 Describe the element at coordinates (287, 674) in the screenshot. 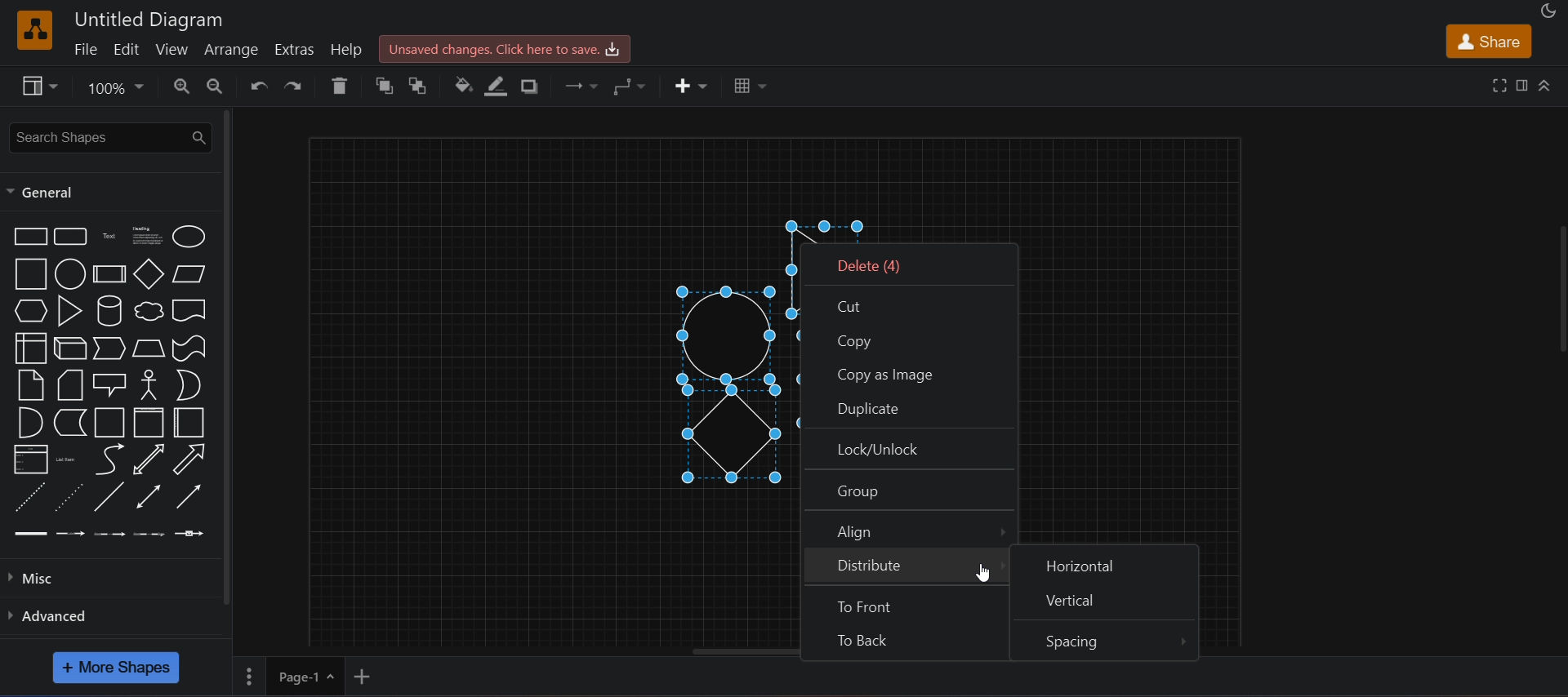

I see `page 1 ` at that location.